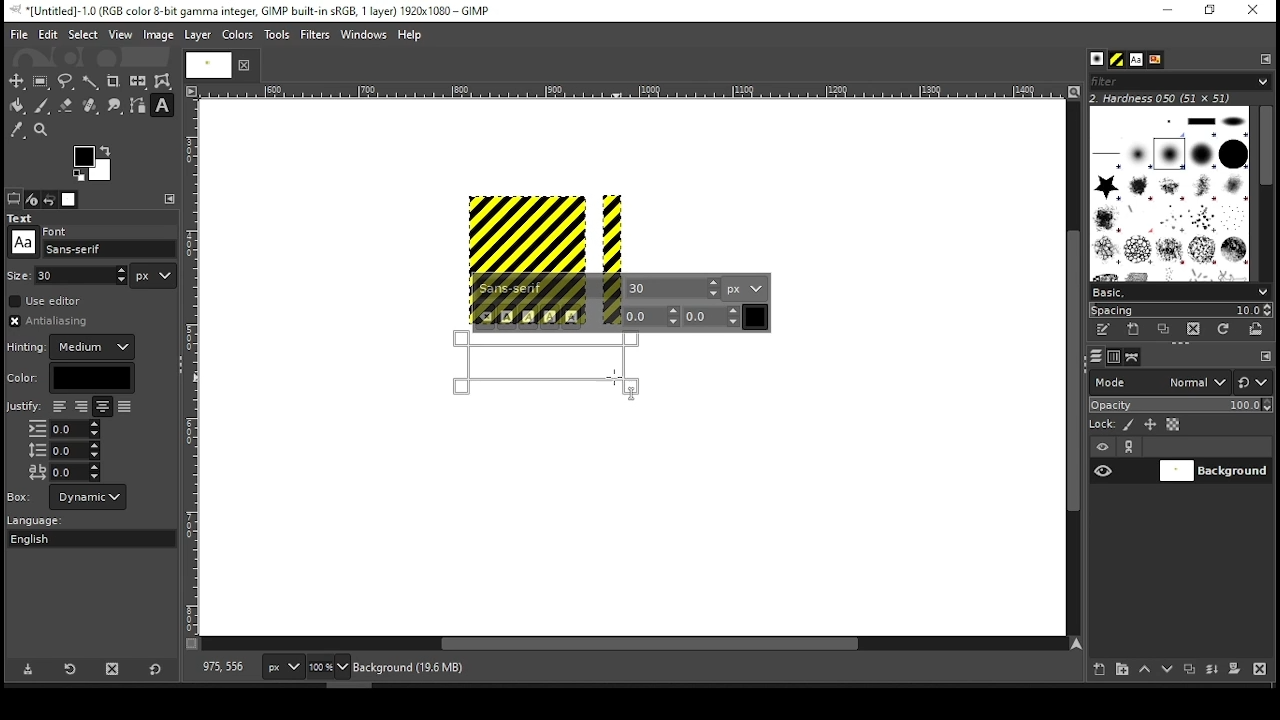  I want to click on adjust line spacing, so click(64, 450).